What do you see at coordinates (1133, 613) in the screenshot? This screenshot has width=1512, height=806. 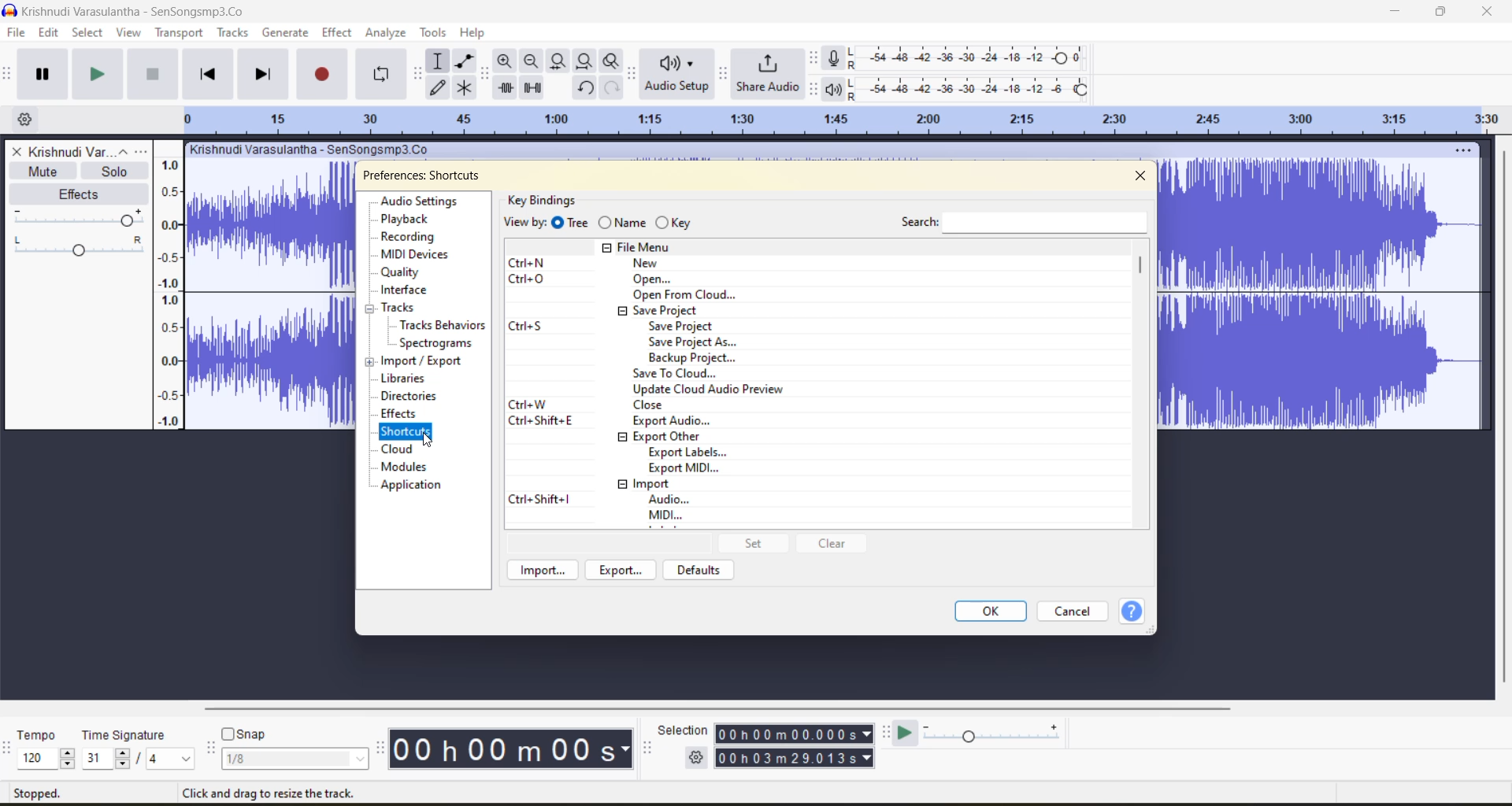 I see `help` at bounding box center [1133, 613].